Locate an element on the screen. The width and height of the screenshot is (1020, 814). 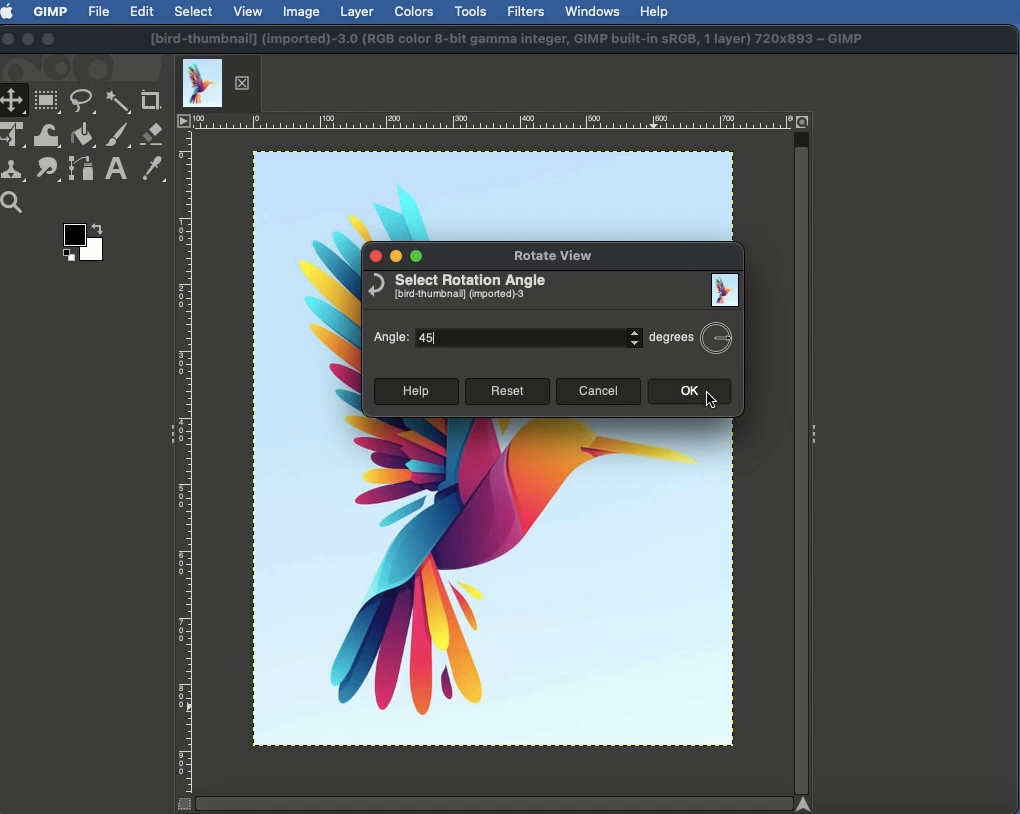
Image is located at coordinates (483, 588).